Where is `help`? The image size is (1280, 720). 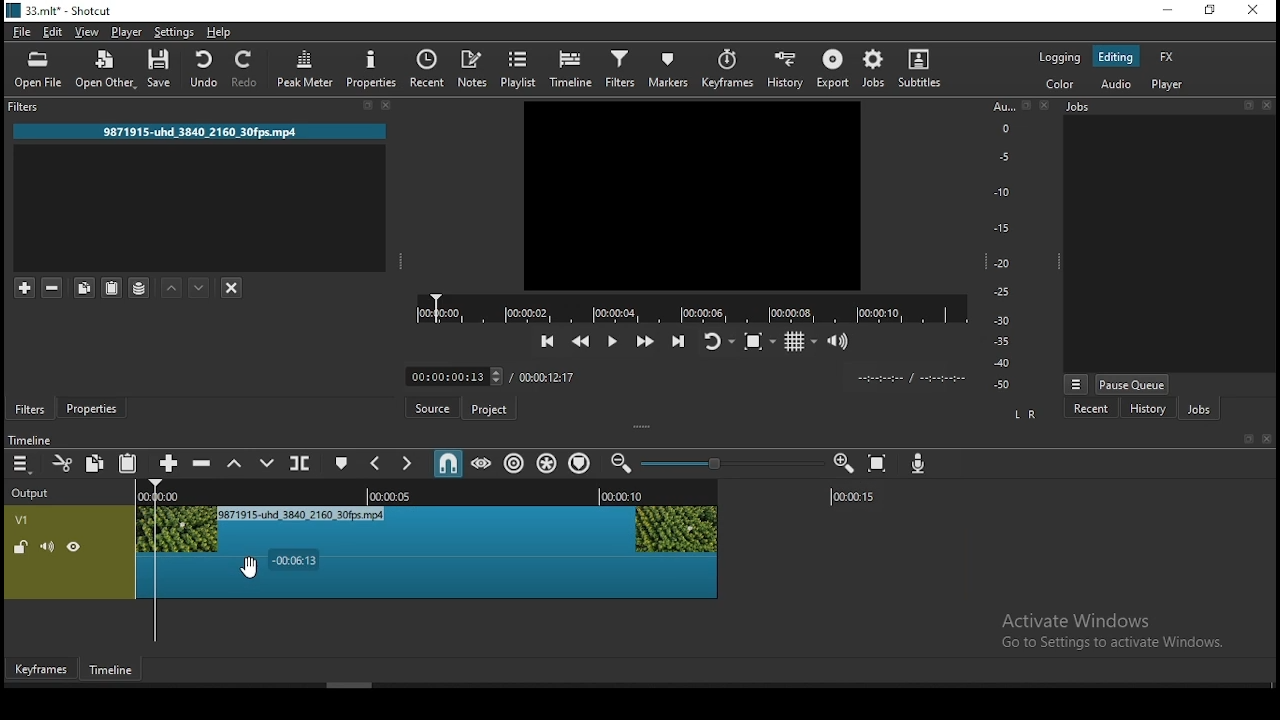 help is located at coordinates (221, 32).